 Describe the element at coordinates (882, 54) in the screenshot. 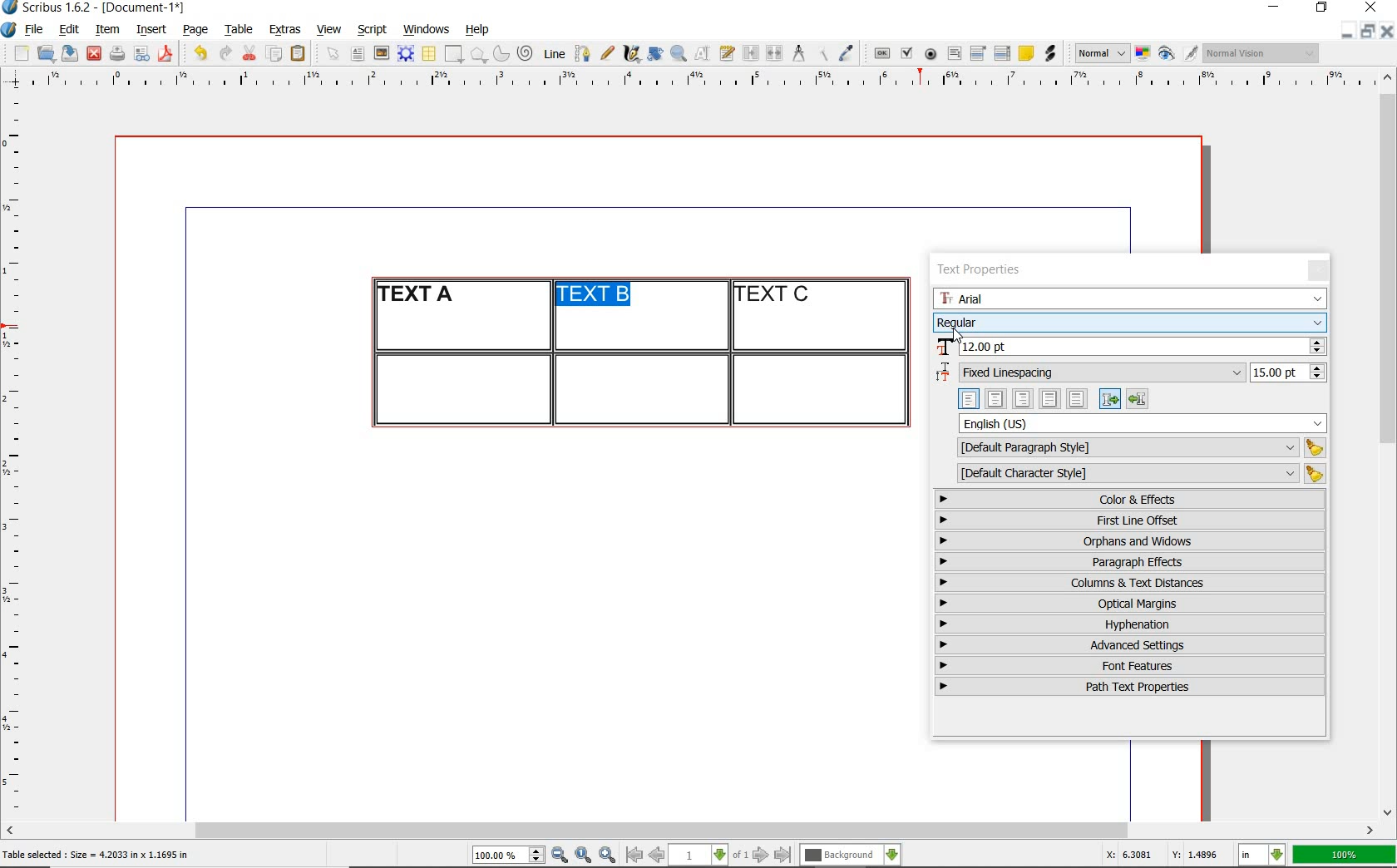

I see `pdf push button` at that location.